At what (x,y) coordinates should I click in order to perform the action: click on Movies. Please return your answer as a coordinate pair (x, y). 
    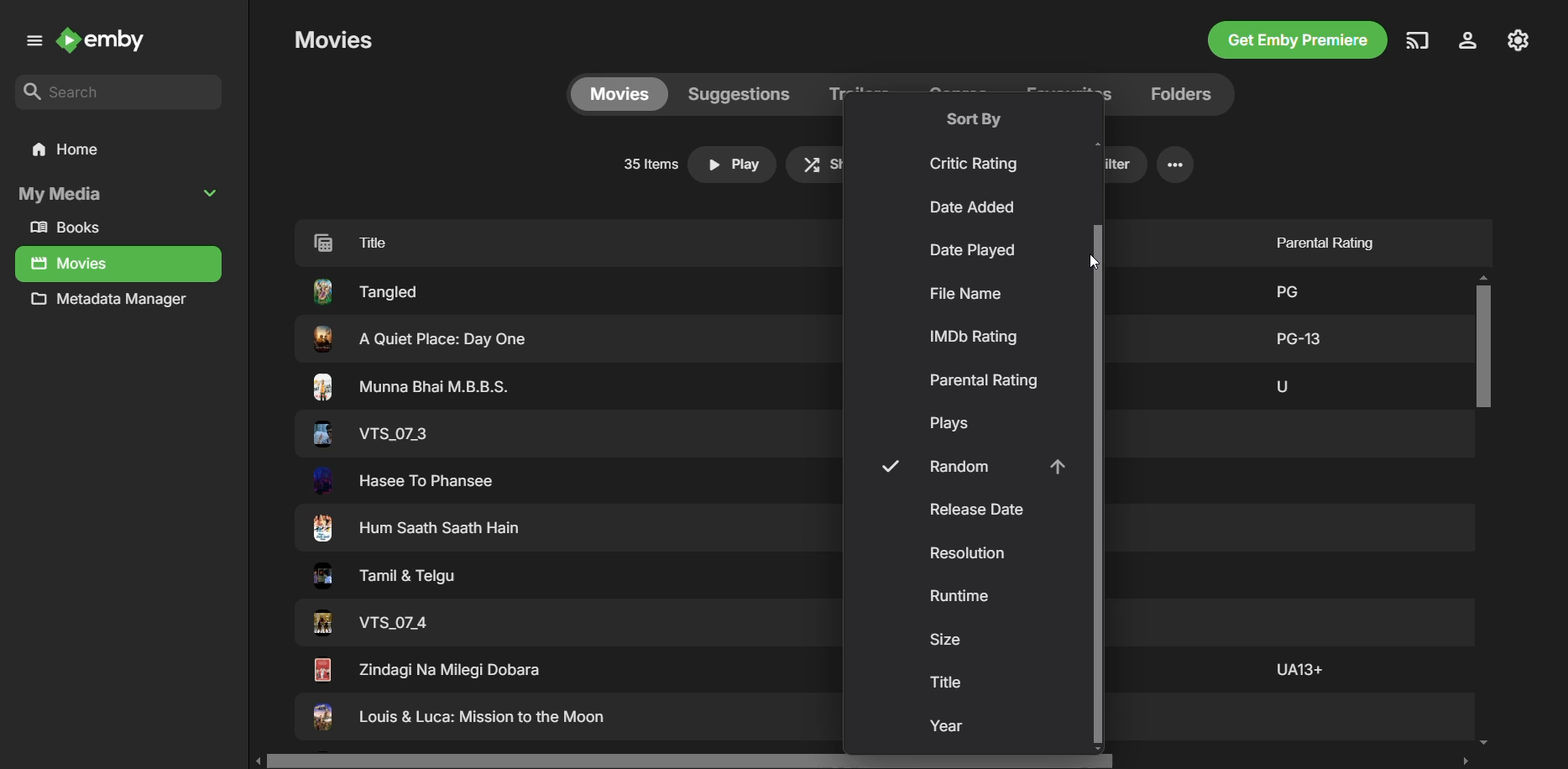
    Looking at the image, I should click on (333, 39).